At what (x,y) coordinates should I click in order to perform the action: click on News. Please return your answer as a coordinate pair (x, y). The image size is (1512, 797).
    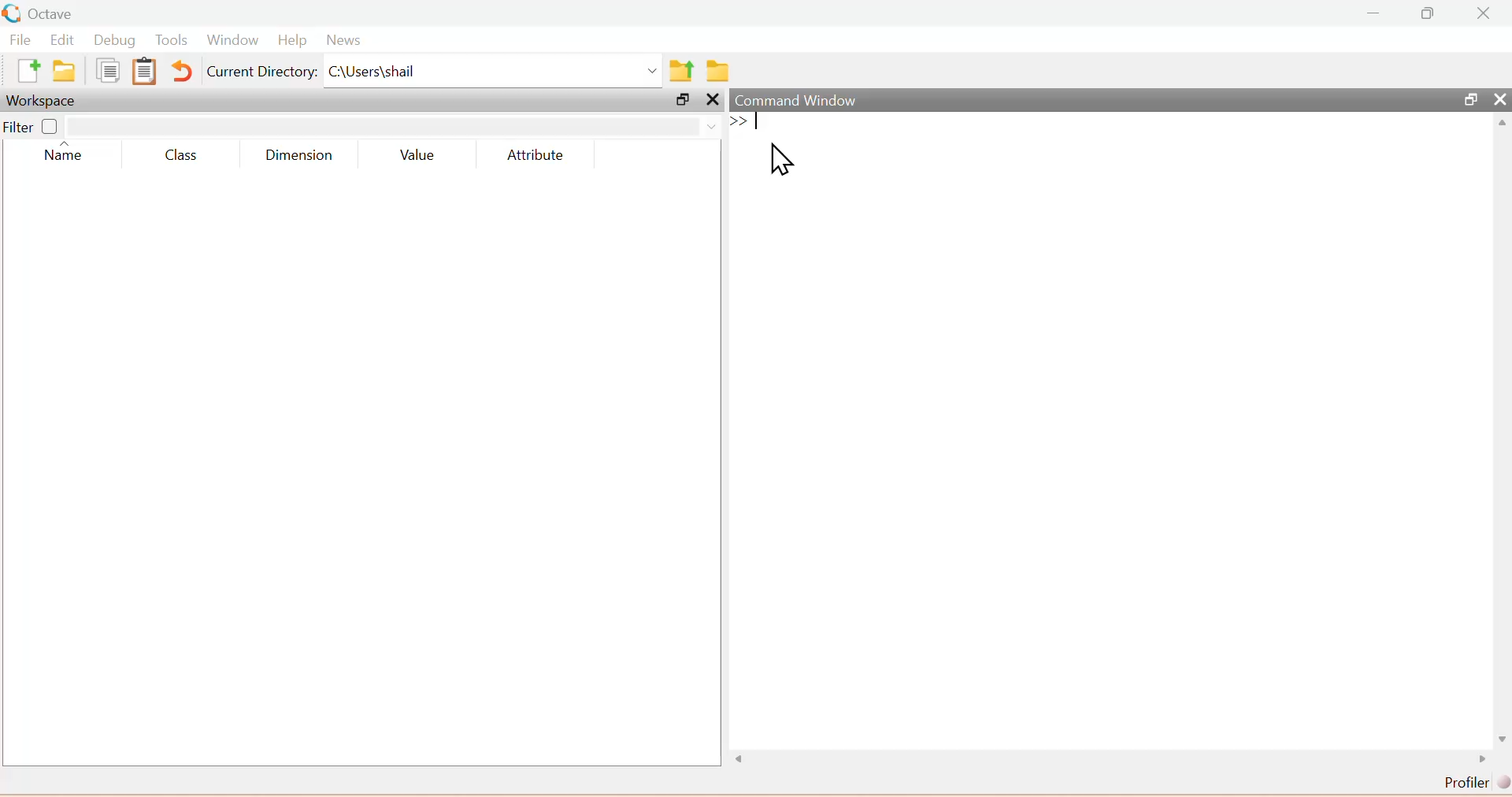
    Looking at the image, I should click on (342, 42).